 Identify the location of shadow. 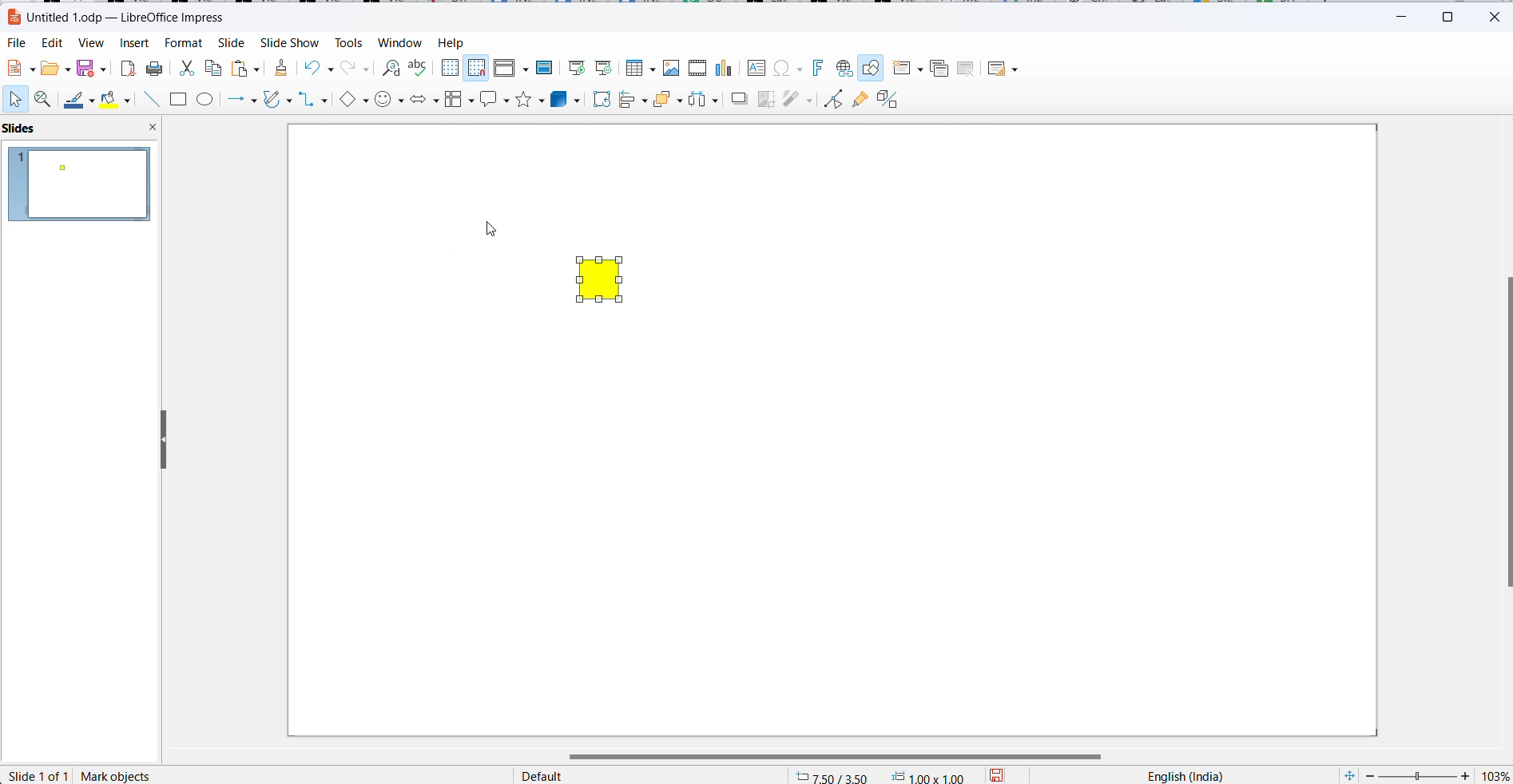
(738, 101).